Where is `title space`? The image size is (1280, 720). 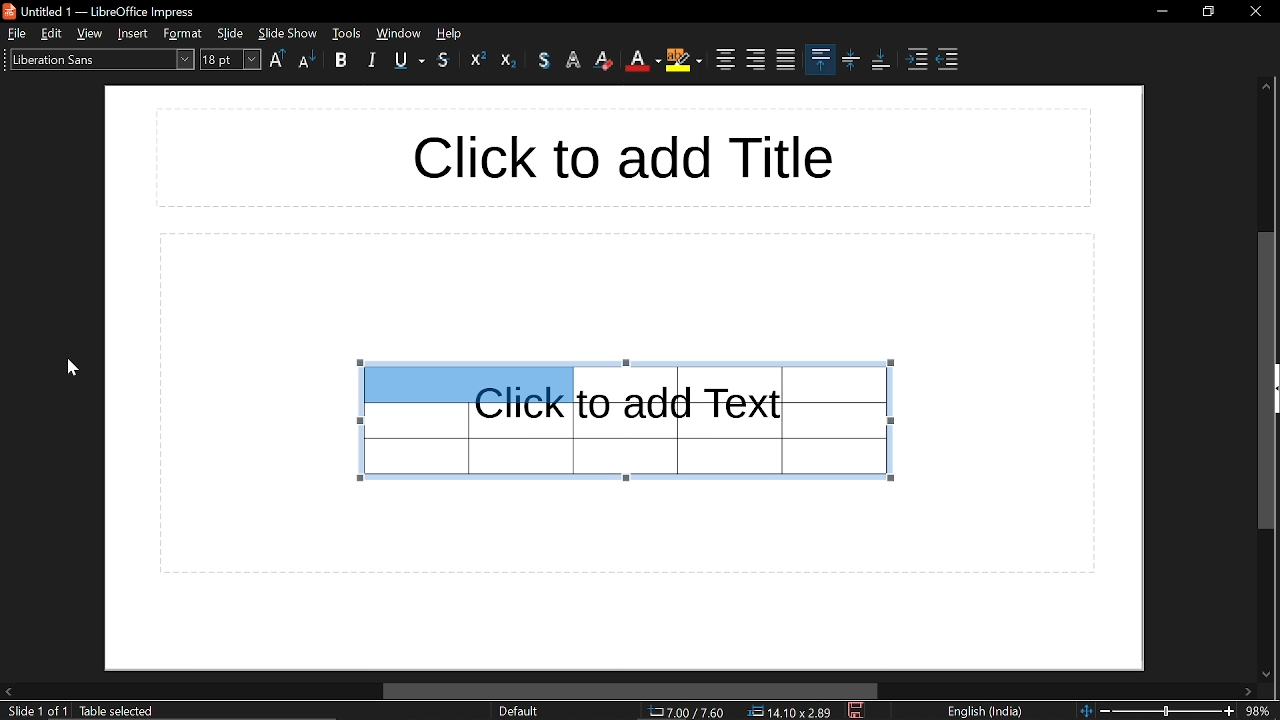 title space is located at coordinates (620, 157).